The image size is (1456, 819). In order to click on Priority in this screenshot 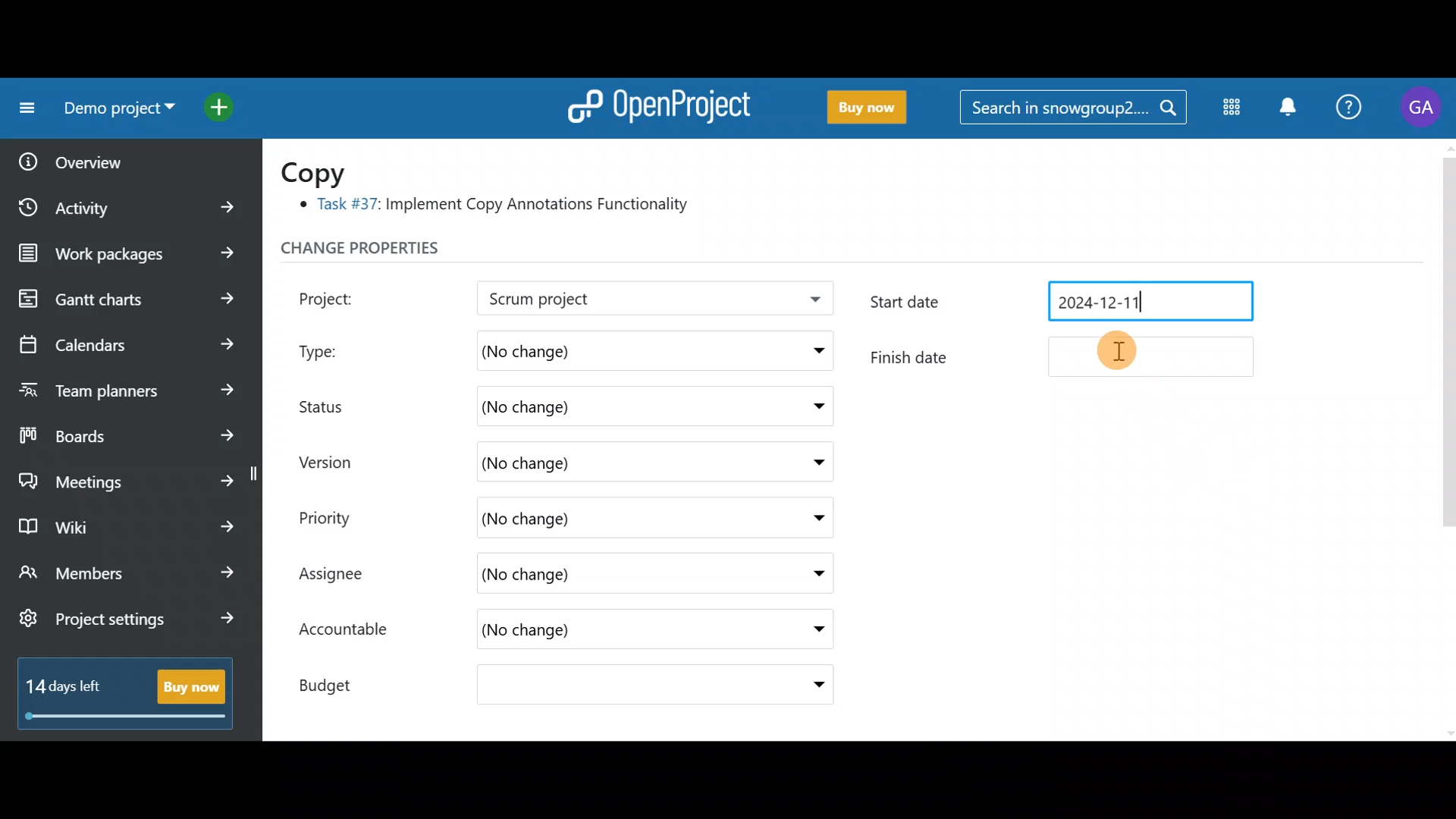, I will do `click(341, 516)`.